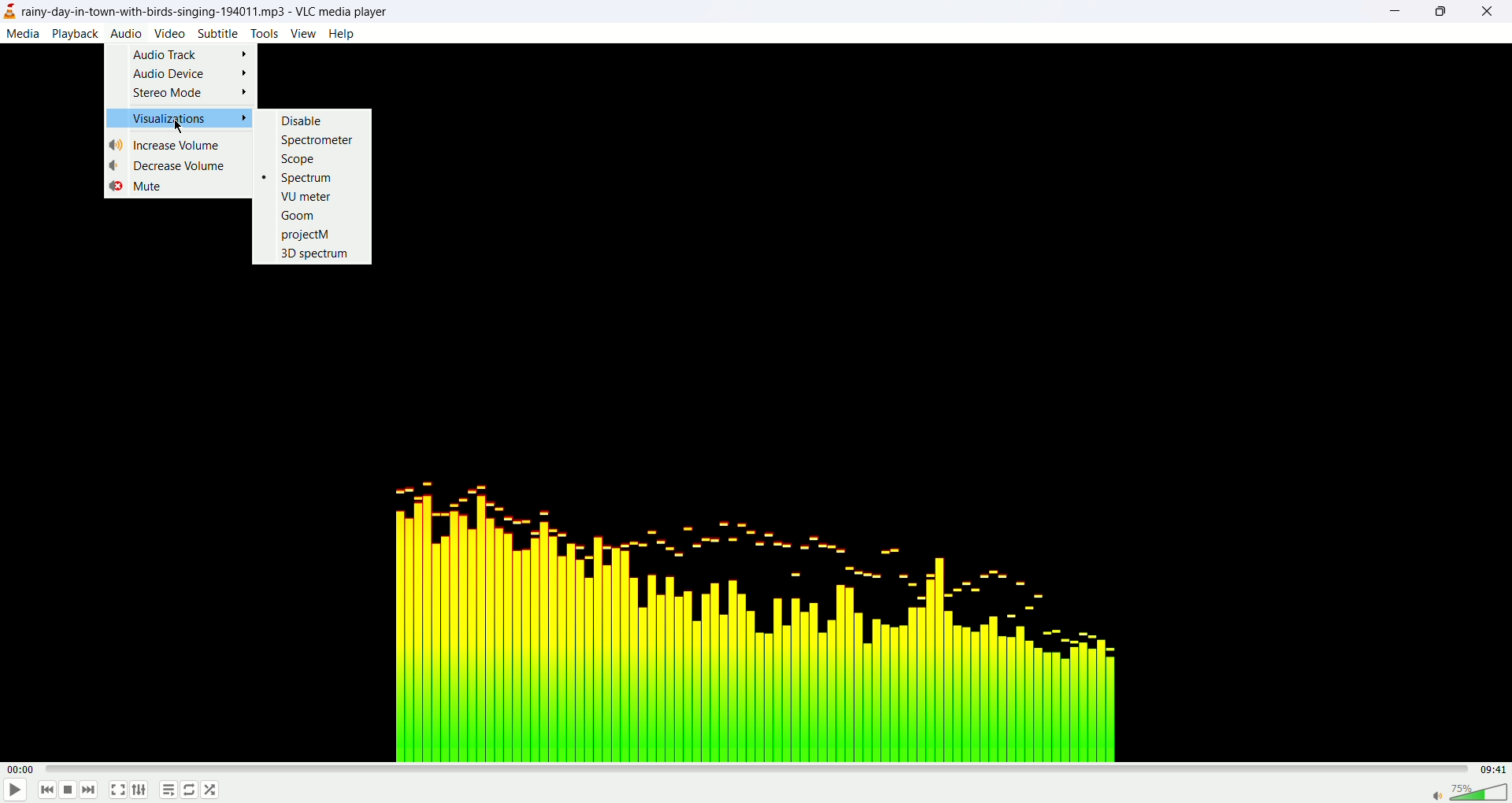 The image size is (1512, 803). What do you see at coordinates (76, 34) in the screenshot?
I see `playback` at bounding box center [76, 34].